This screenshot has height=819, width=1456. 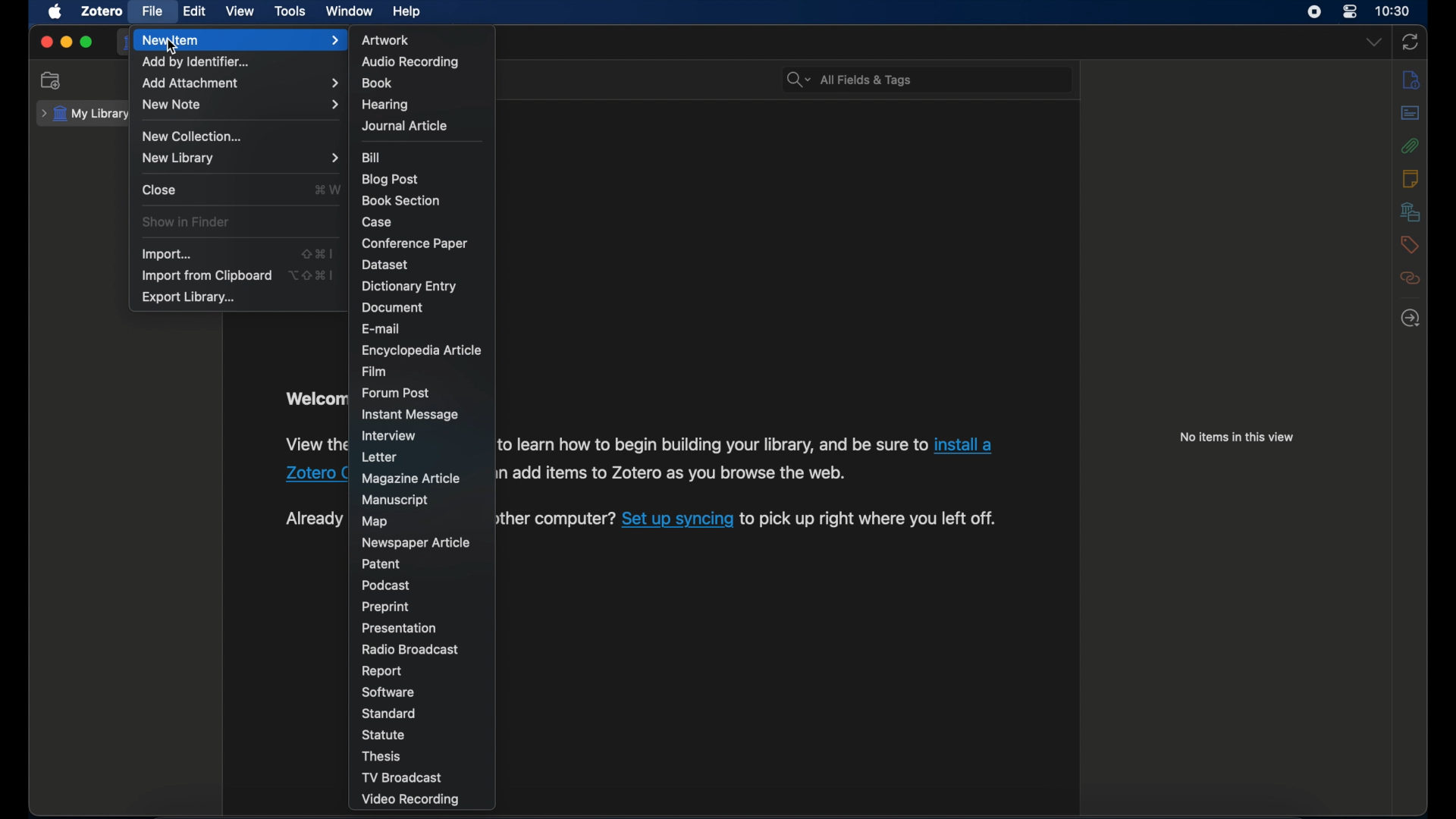 What do you see at coordinates (1411, 178) in the screenshot?
I see `notes` at bounding box center [1411, 178].